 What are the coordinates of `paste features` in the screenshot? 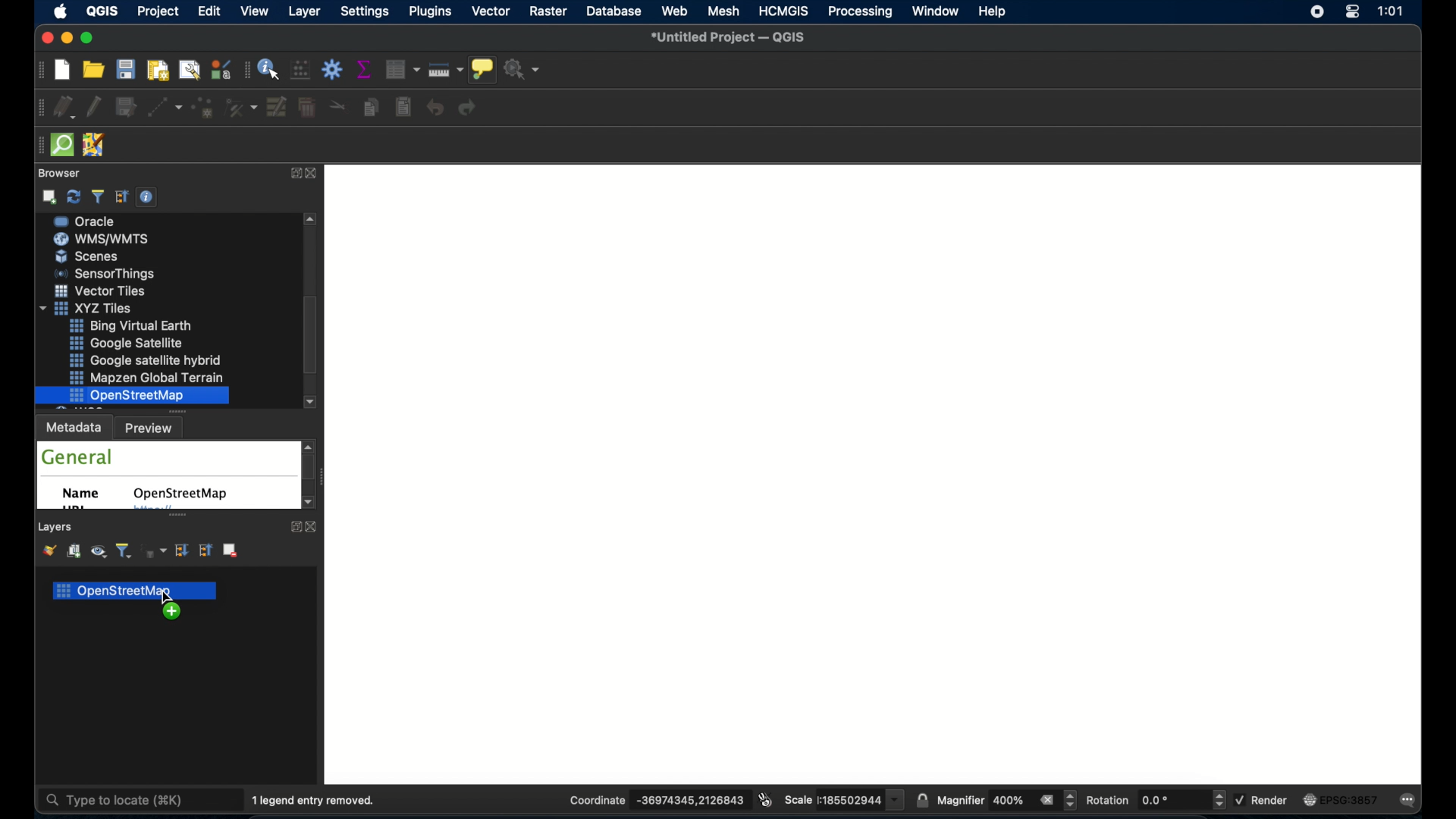 It's located at (403, 108).